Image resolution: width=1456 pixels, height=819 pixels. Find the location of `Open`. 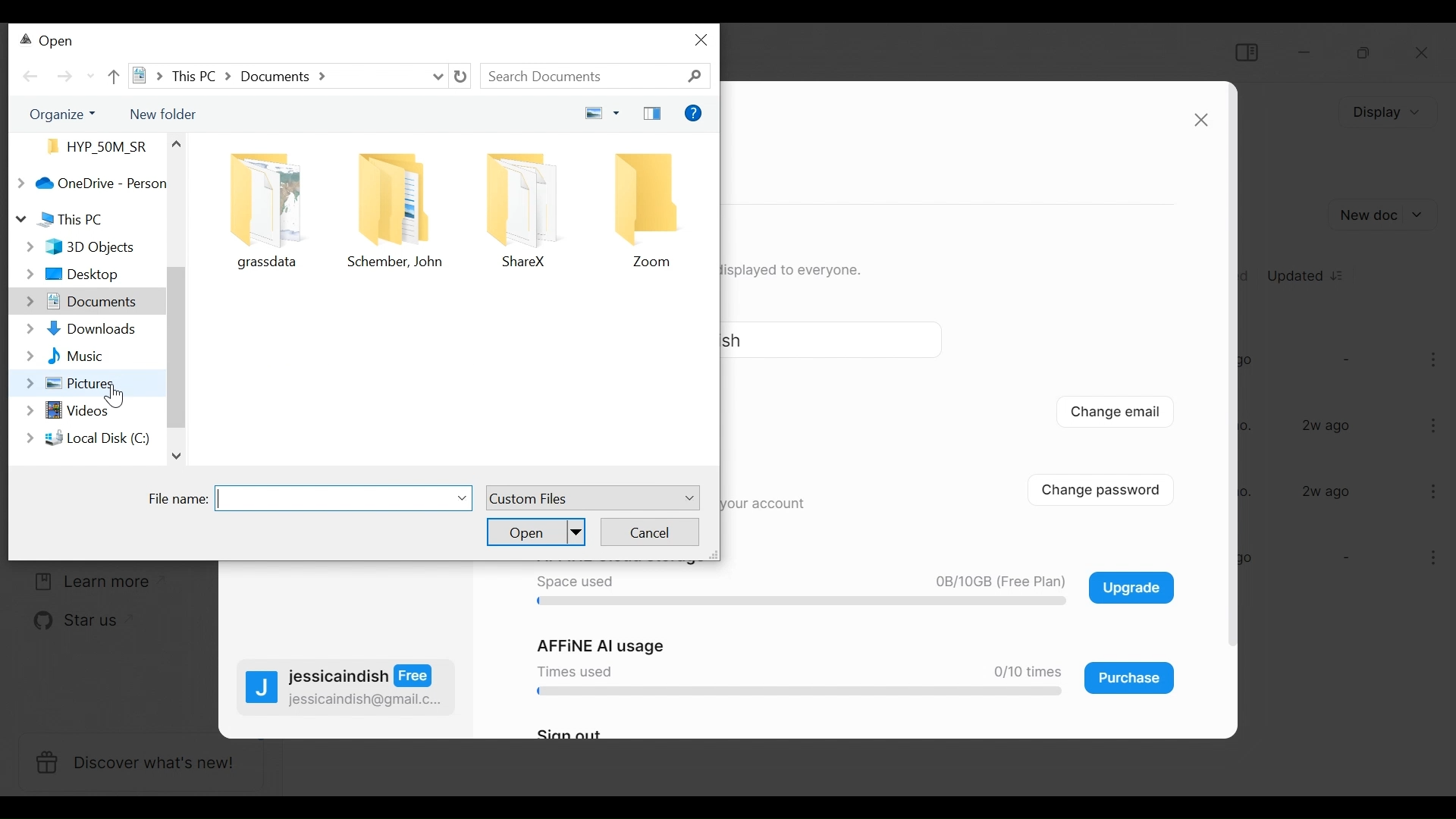

Open is located at coordinates (49, 42).